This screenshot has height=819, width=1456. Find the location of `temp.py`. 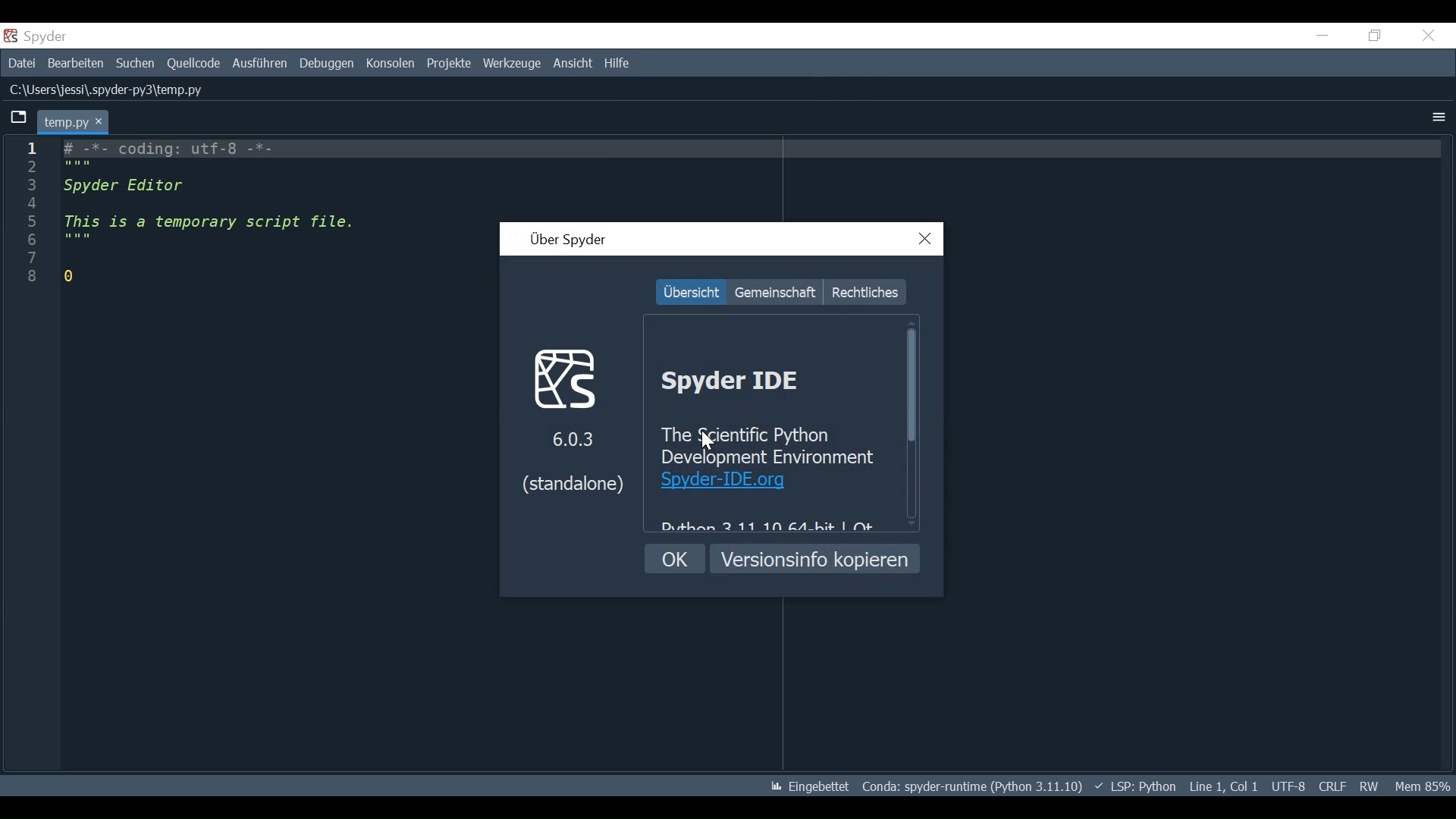

temp.py is located at coordinates (72, 121).